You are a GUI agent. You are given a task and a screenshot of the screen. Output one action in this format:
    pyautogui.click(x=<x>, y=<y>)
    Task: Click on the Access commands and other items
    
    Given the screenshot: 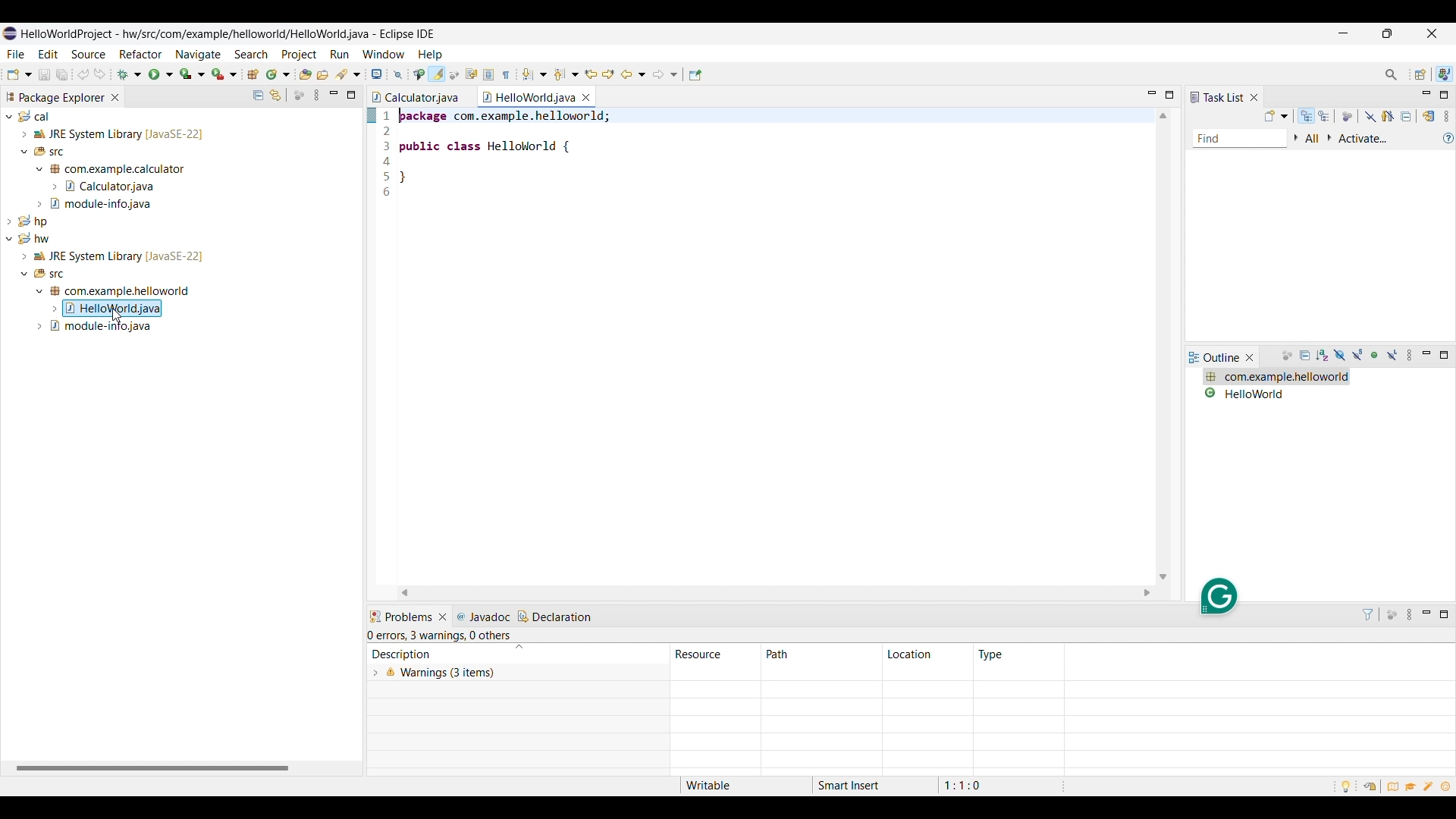 What is the action you would take?
    pyautogui.click(x=1391, y=74)
    